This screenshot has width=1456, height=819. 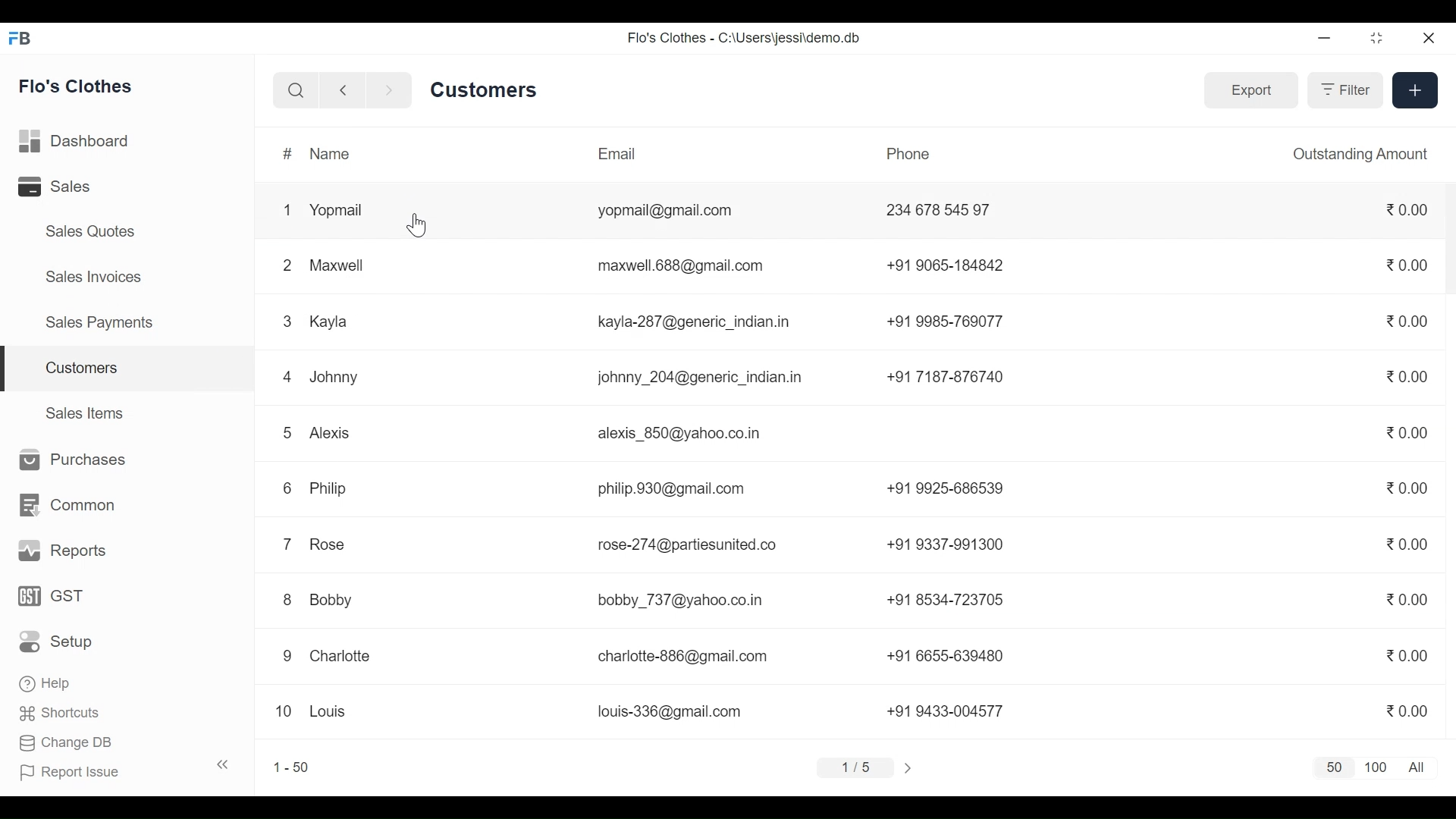 What do you see at coordinates (326, 488) in the screenshot?
I see `Philip` at bounding box center [326, 488].